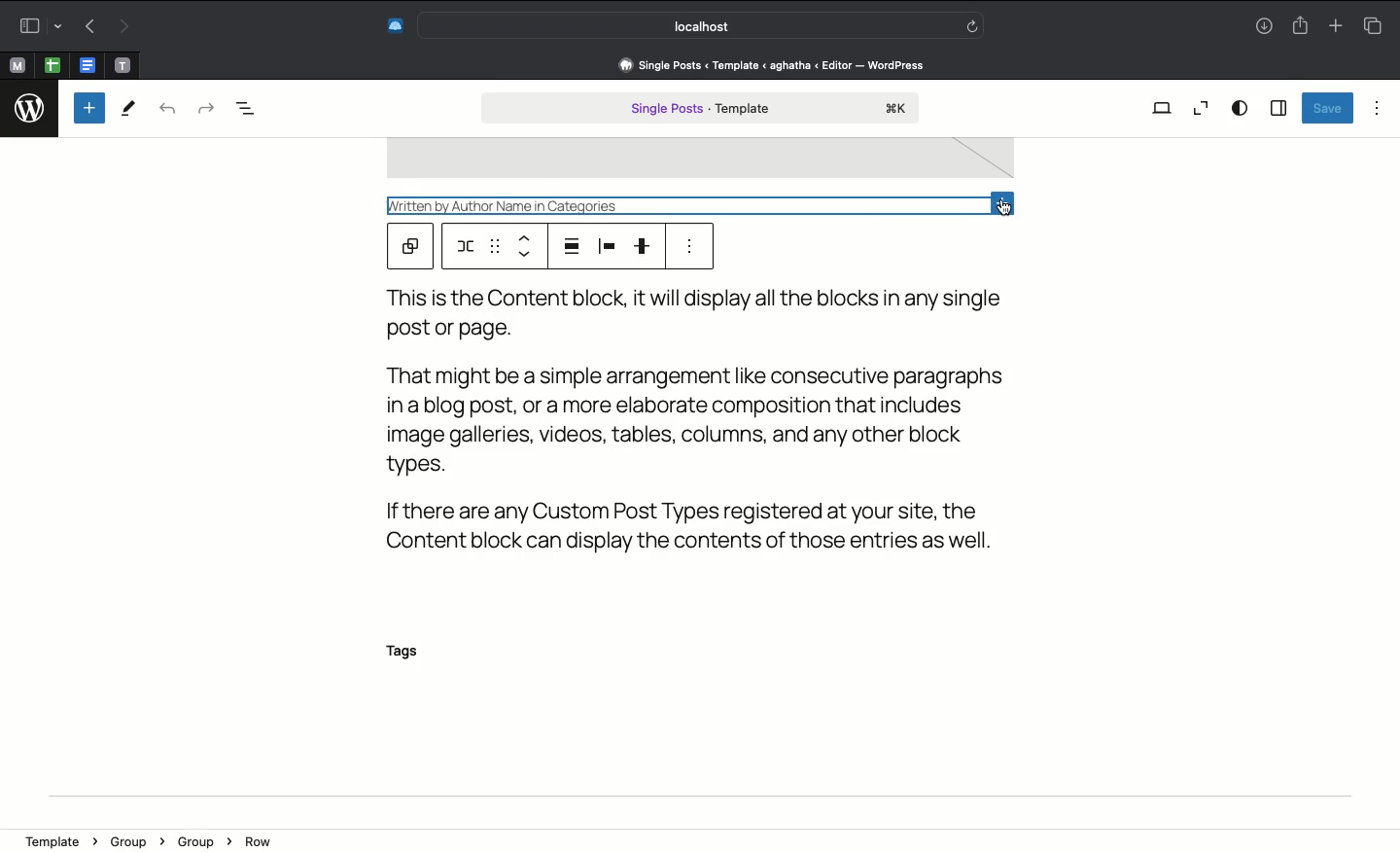 The height and width of the screenshot is (852, 1400). Describe the element at coordinates (1336, 27) in the screenshot. I see `New tab` at that location.